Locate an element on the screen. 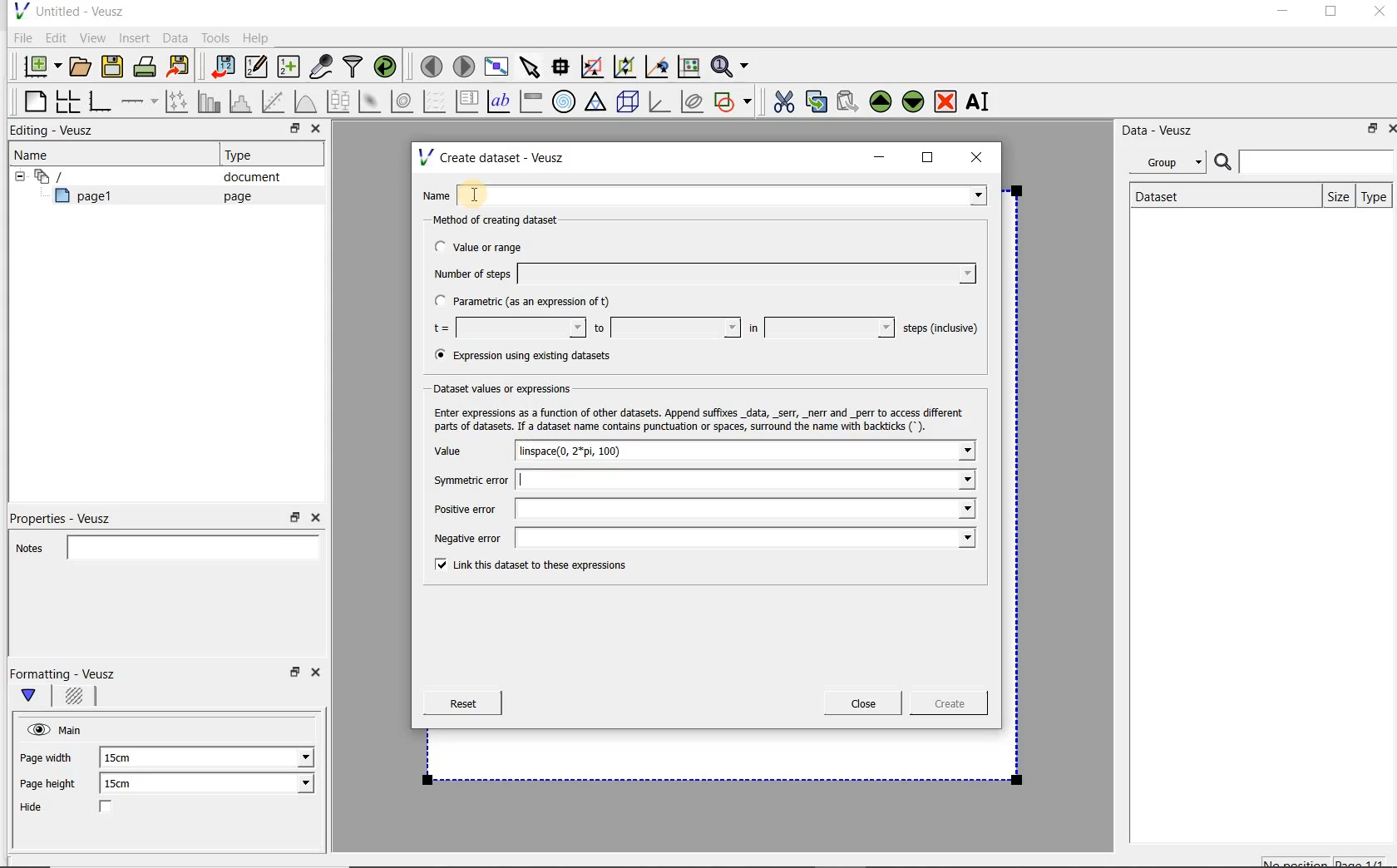 This screenshot has width=1397, height=868. Main formatting is located at coordinates (36, 697).